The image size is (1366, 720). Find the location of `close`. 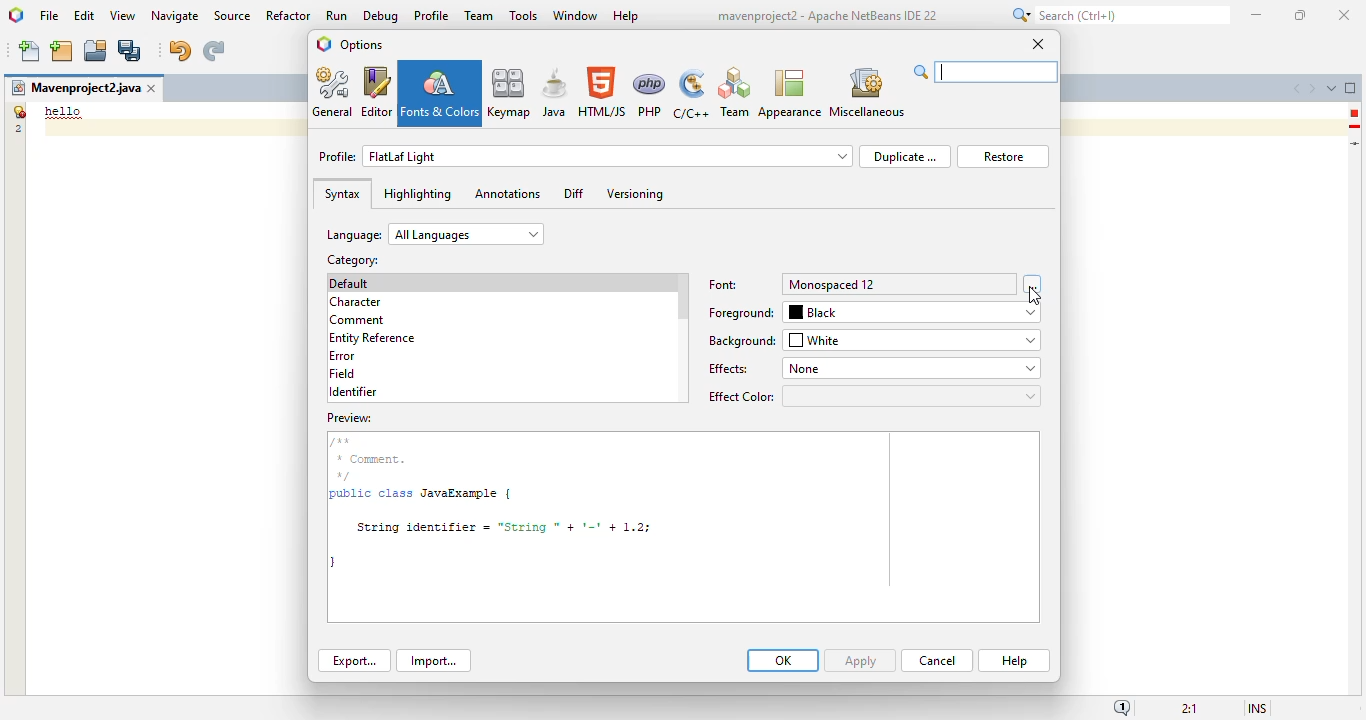

close is located at coordinates (1038, 43).